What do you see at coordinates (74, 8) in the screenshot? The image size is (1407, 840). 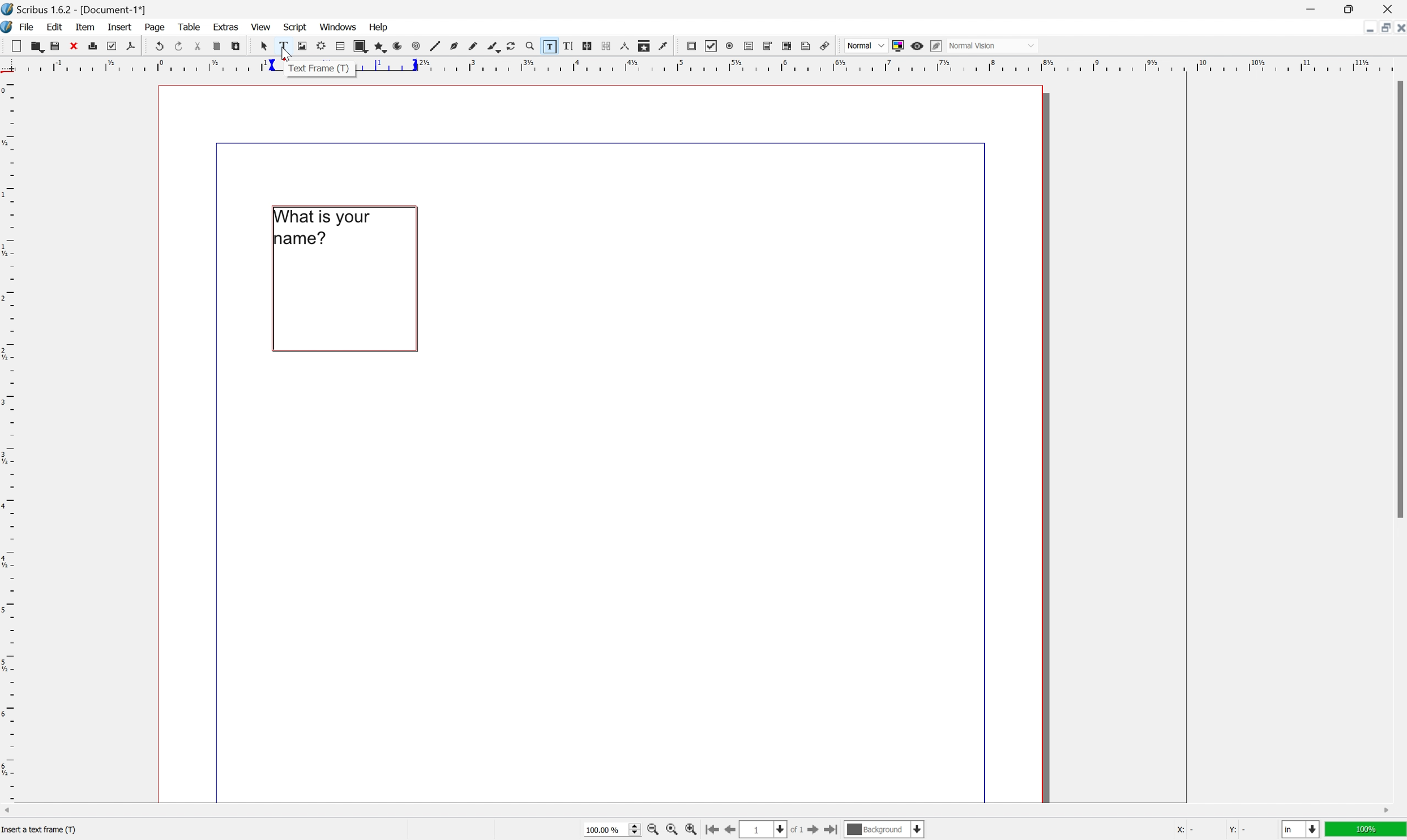 I see `scribus 1.6.2 - [document-1*]` at bounding box center [74, 8].